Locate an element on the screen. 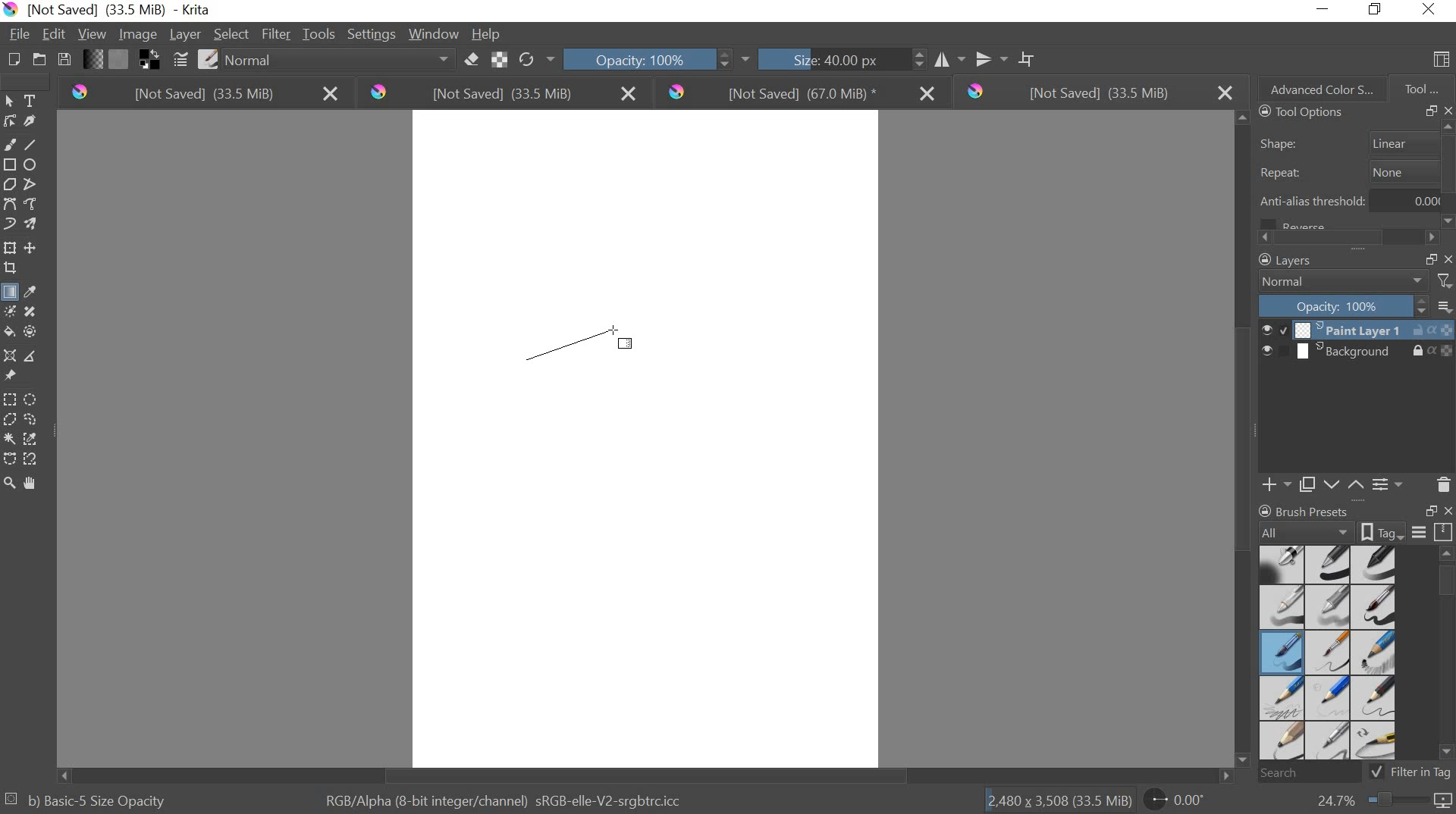 The image size is (1456, 814). magnetic selection is located at coordinates (33, 459).